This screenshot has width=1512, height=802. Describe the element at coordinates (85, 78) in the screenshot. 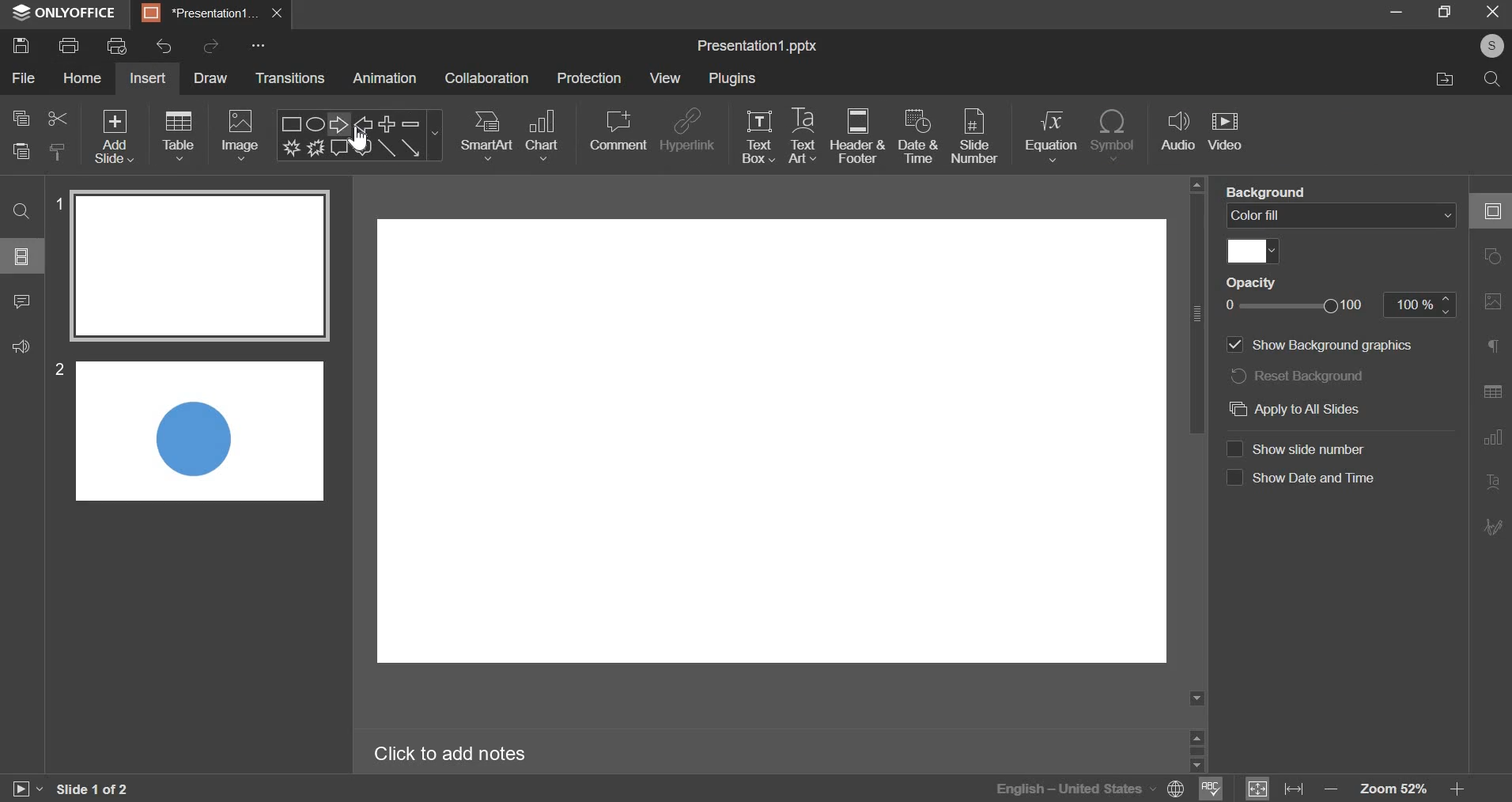

I see `home` at that location.